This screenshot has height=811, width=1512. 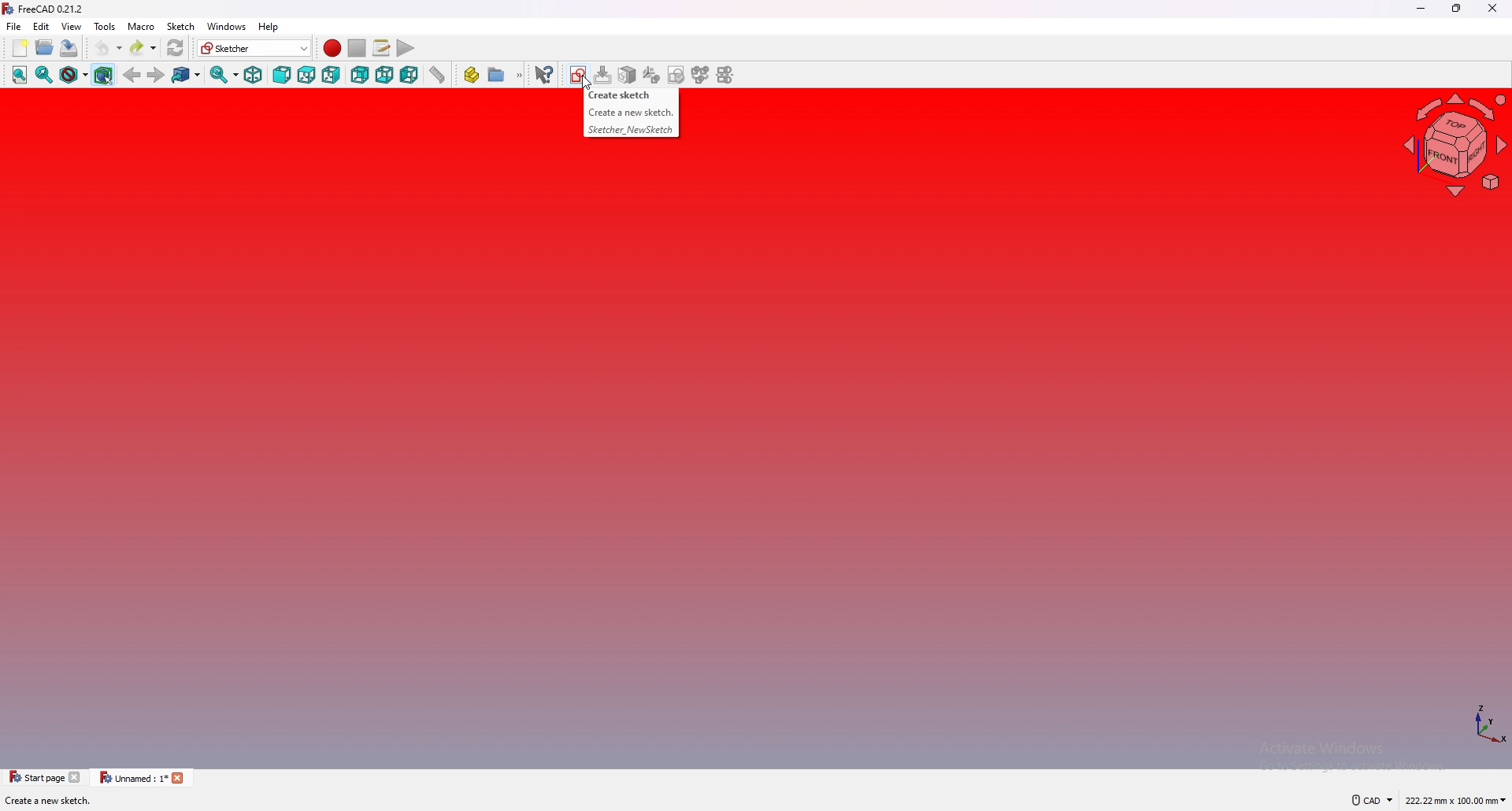 I want to click on view, so click(x=72, y=26).